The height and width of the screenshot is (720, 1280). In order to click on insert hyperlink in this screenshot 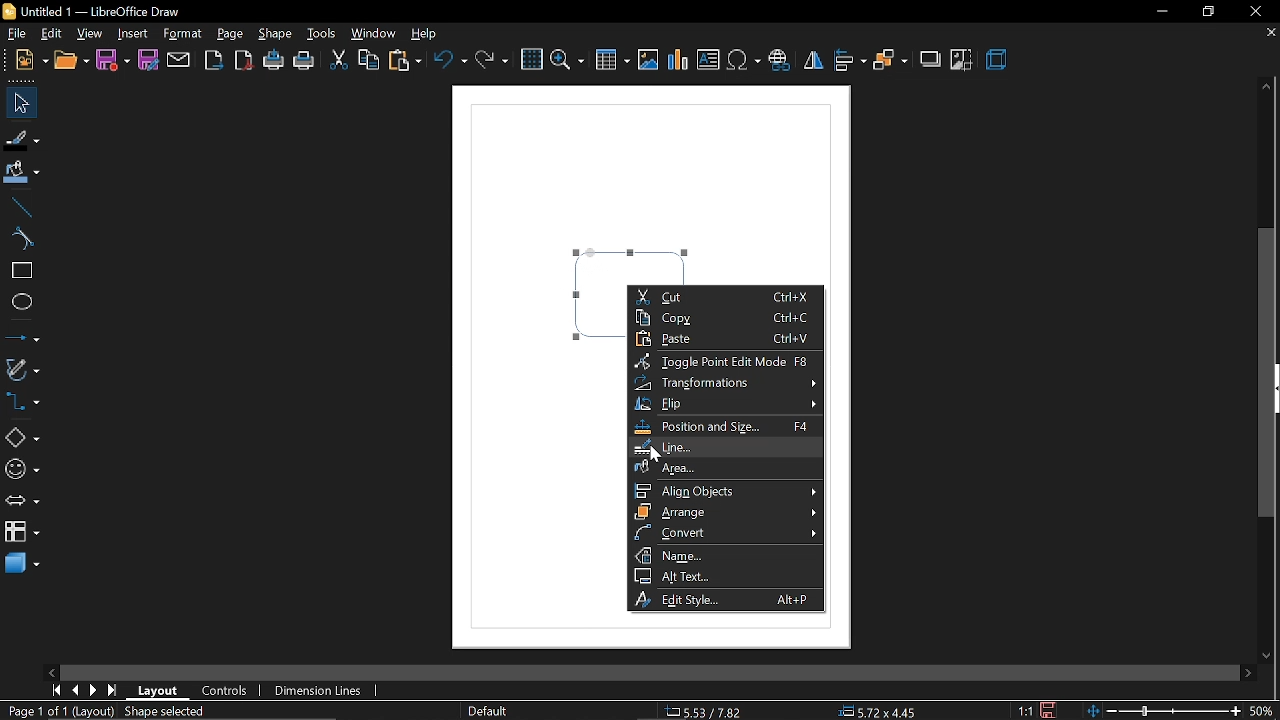, I will do `click(779, 61)`.